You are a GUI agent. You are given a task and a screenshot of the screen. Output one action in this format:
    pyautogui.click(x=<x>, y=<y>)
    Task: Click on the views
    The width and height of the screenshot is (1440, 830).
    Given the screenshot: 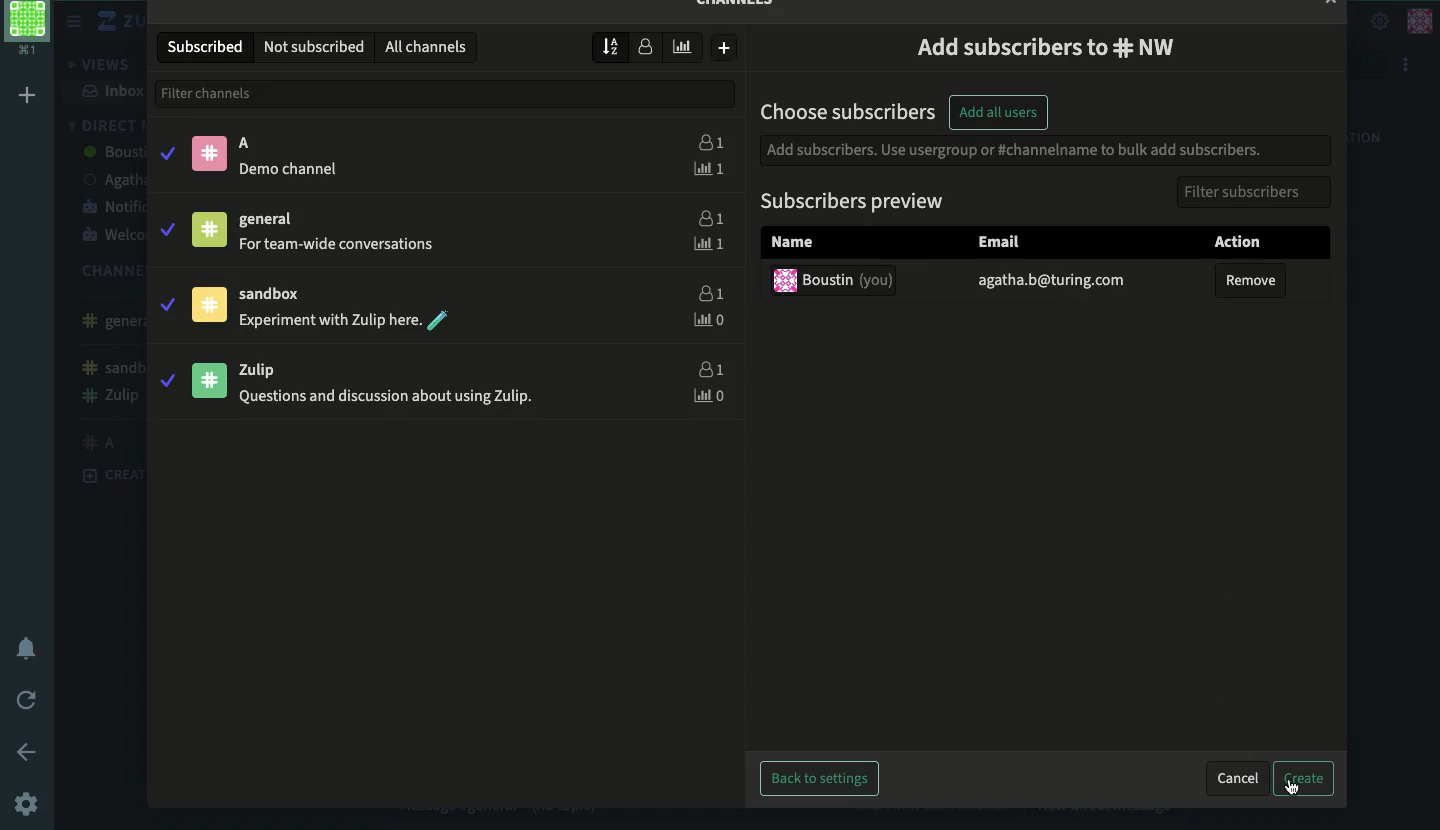 What is the action you would take?
    pyautogui.click(x=95, y=66)
    